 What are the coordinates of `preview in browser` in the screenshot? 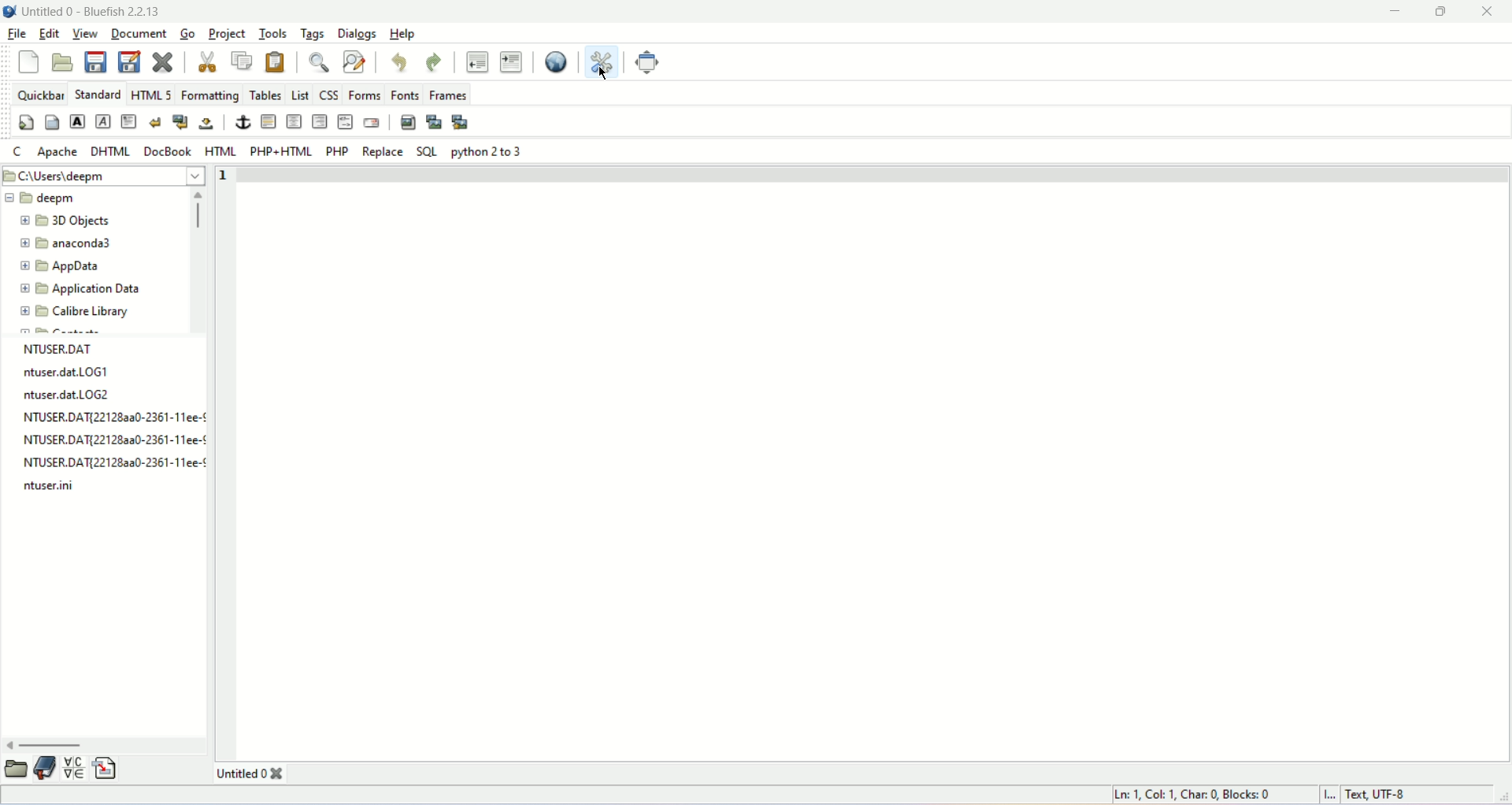 It's located at (554, 60).